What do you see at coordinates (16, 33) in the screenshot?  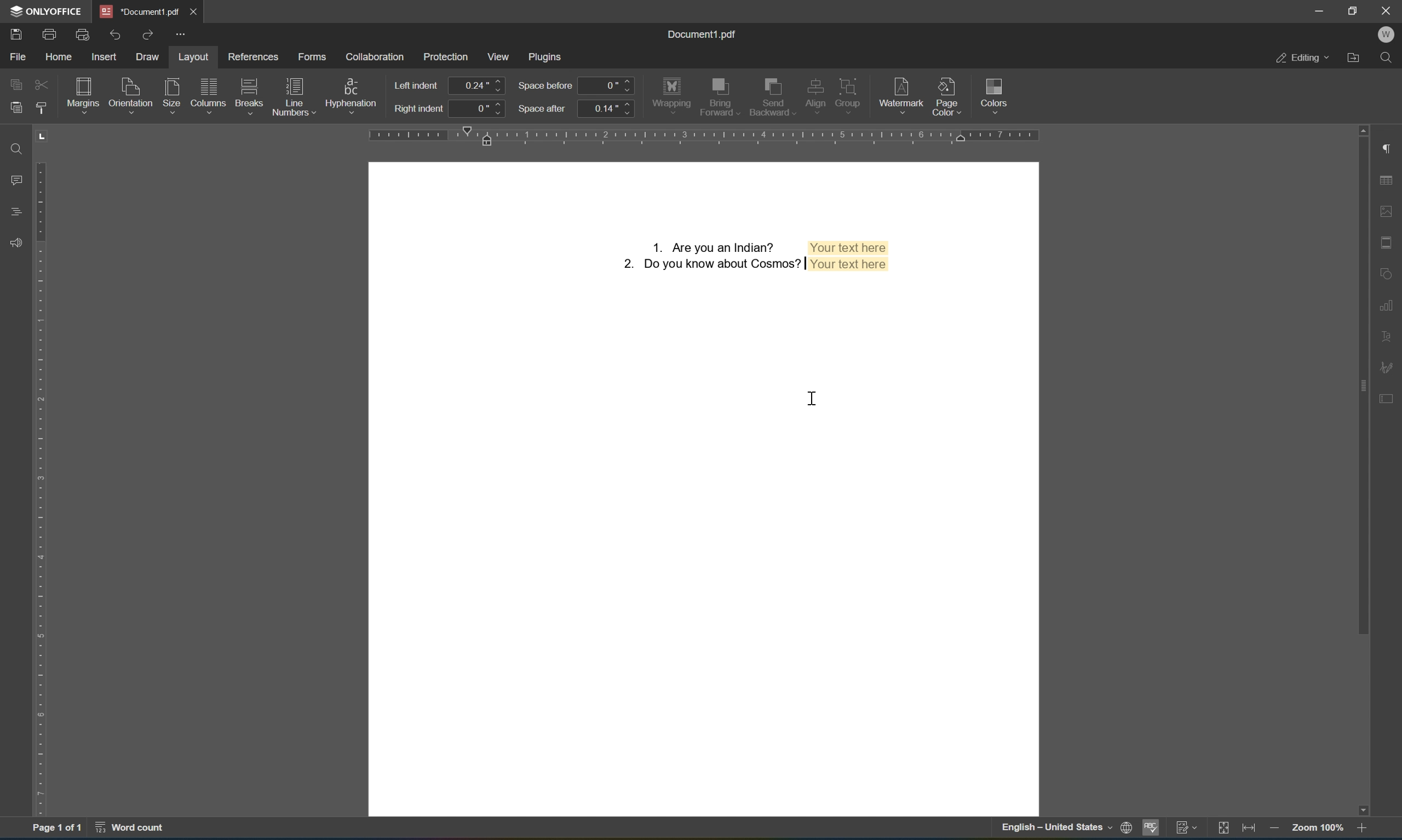 I see `save` at bounding box center [16, 33].